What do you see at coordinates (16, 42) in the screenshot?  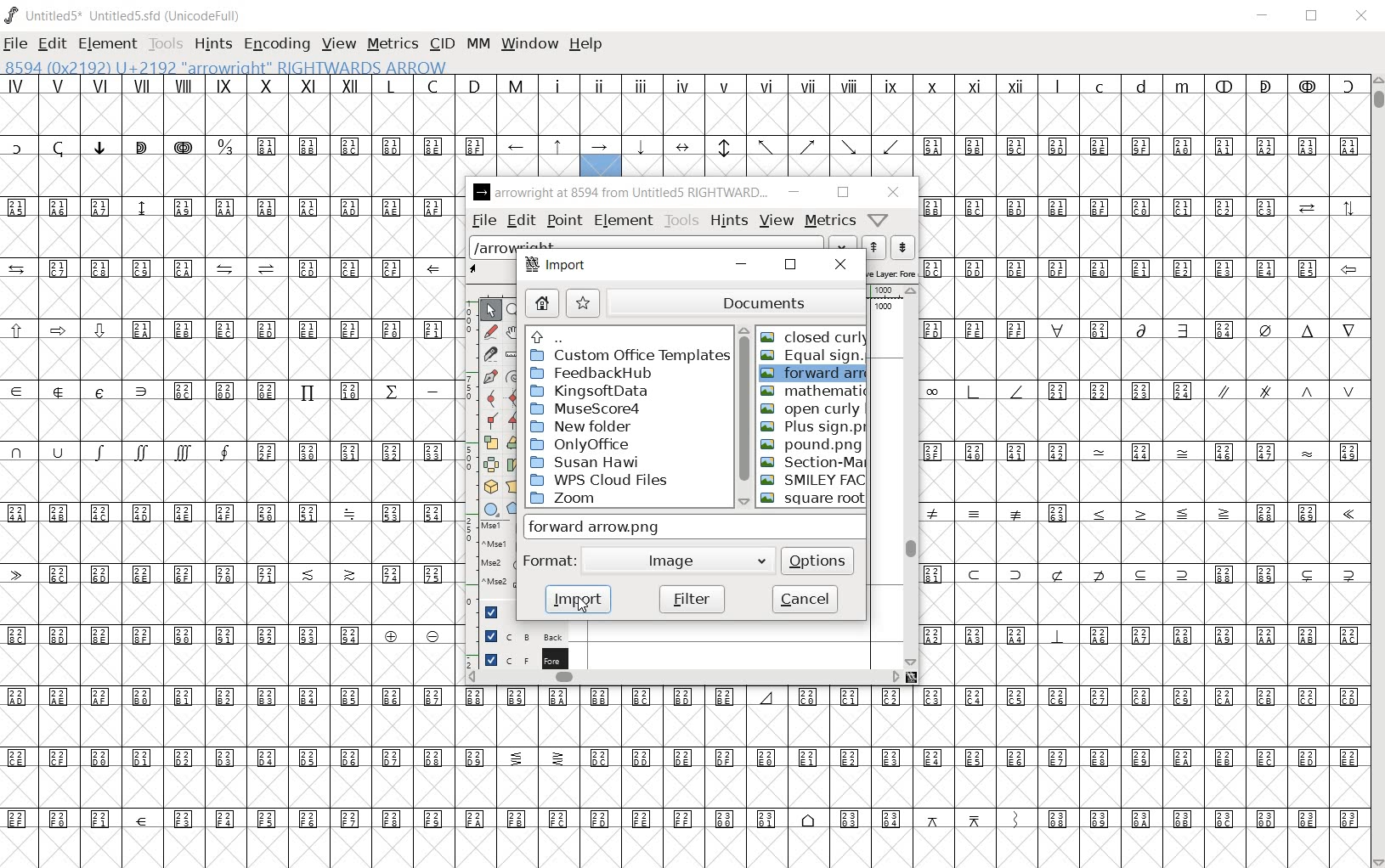 I see `FILE` at bounding box center [16, 42].